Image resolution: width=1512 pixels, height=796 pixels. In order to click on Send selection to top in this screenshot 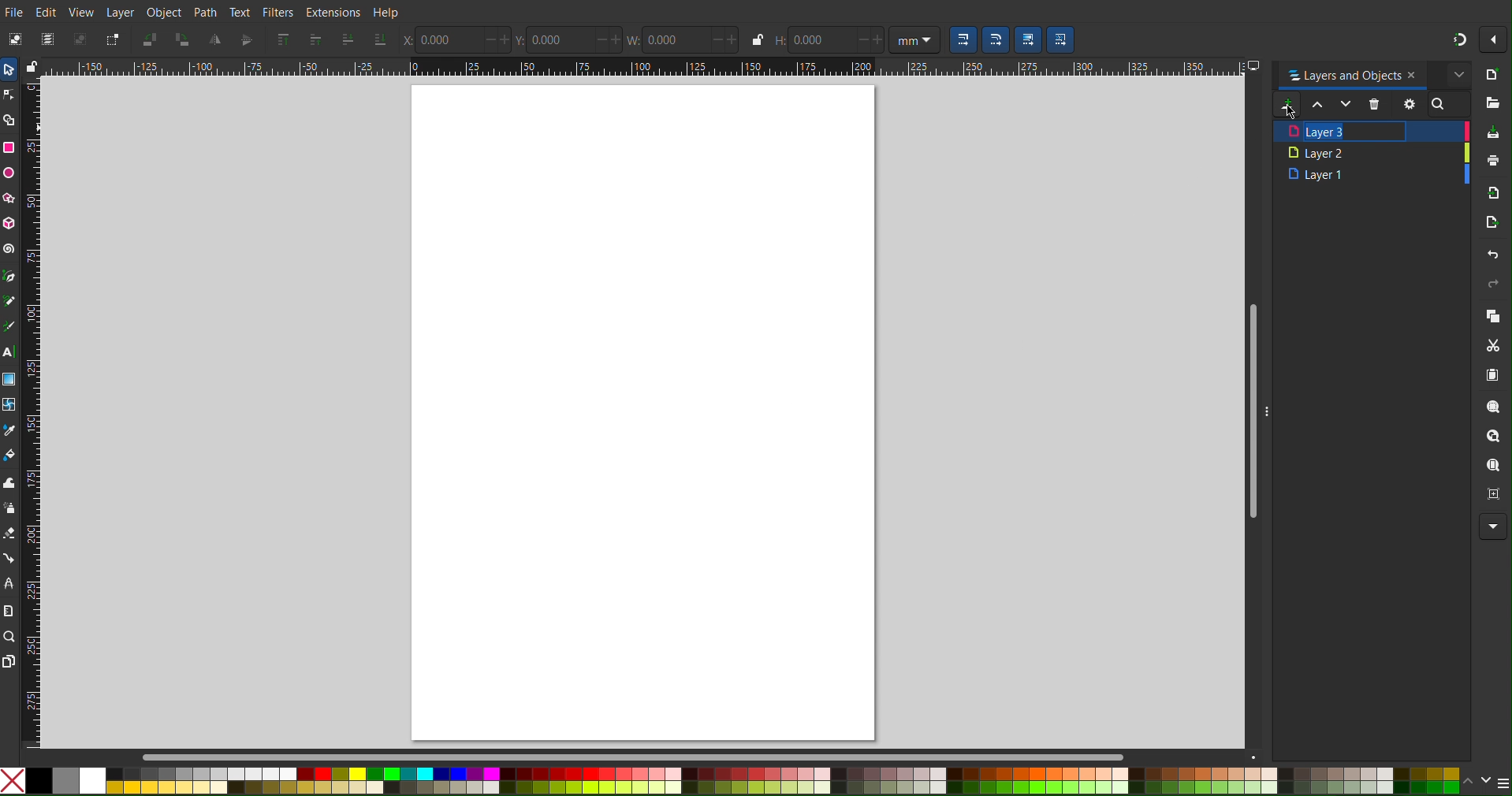, I will do `click(285, 39)`.